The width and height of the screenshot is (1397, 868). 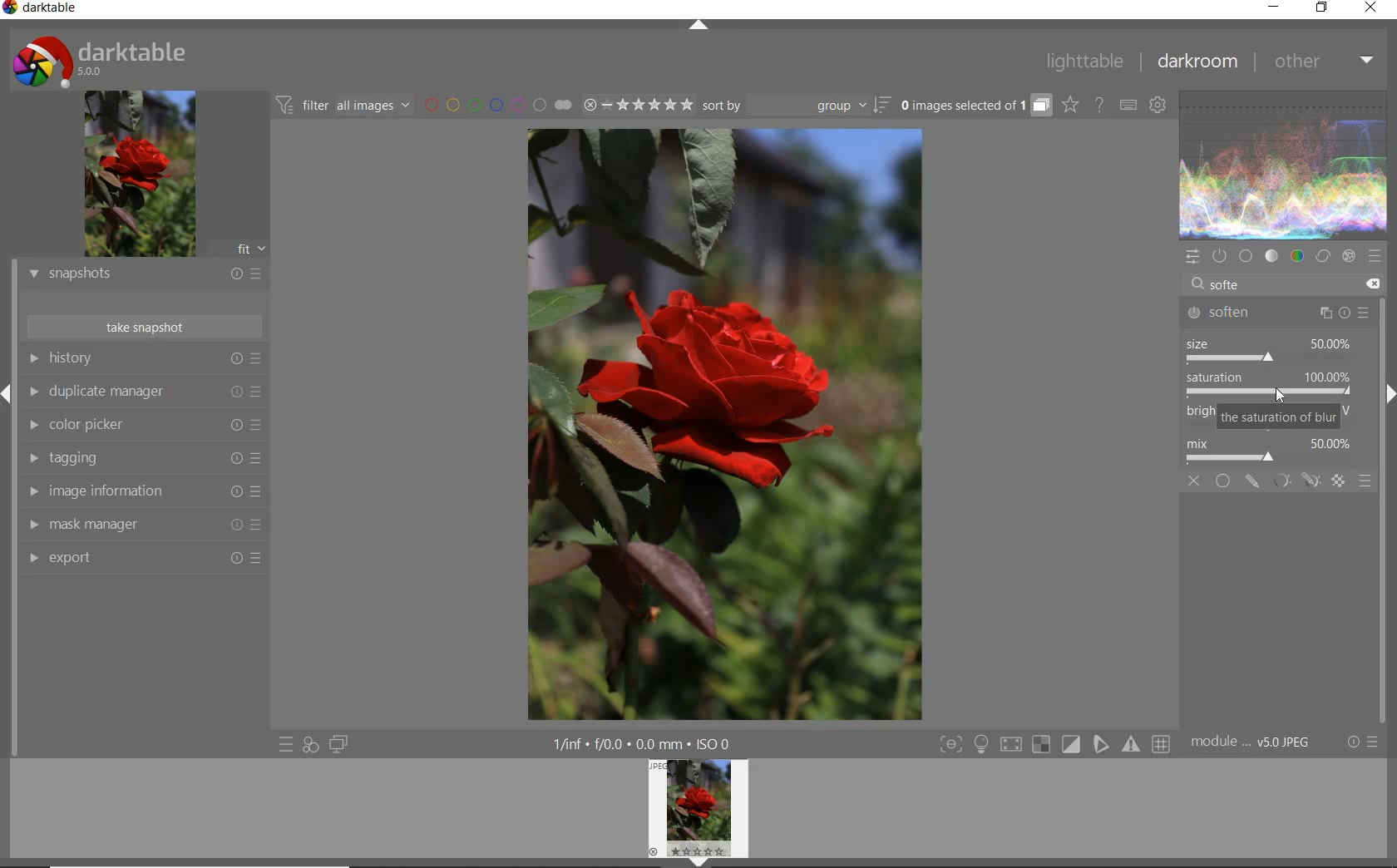 What do you see at coordinates (1277, 395) in the screenshot?
I see `Cursor` at bounding box center [1277, 395].